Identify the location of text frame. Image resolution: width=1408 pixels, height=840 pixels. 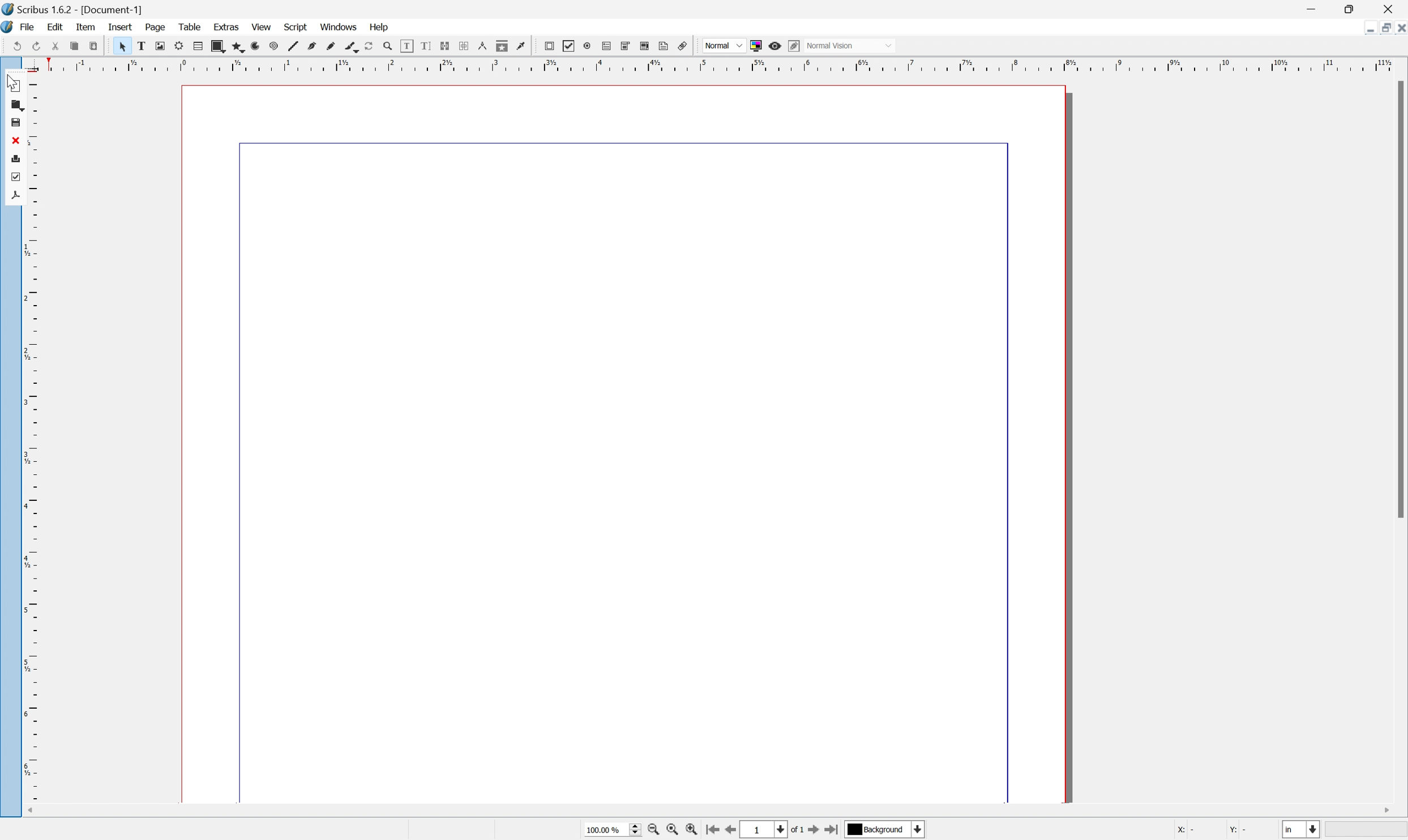
(273, 46).